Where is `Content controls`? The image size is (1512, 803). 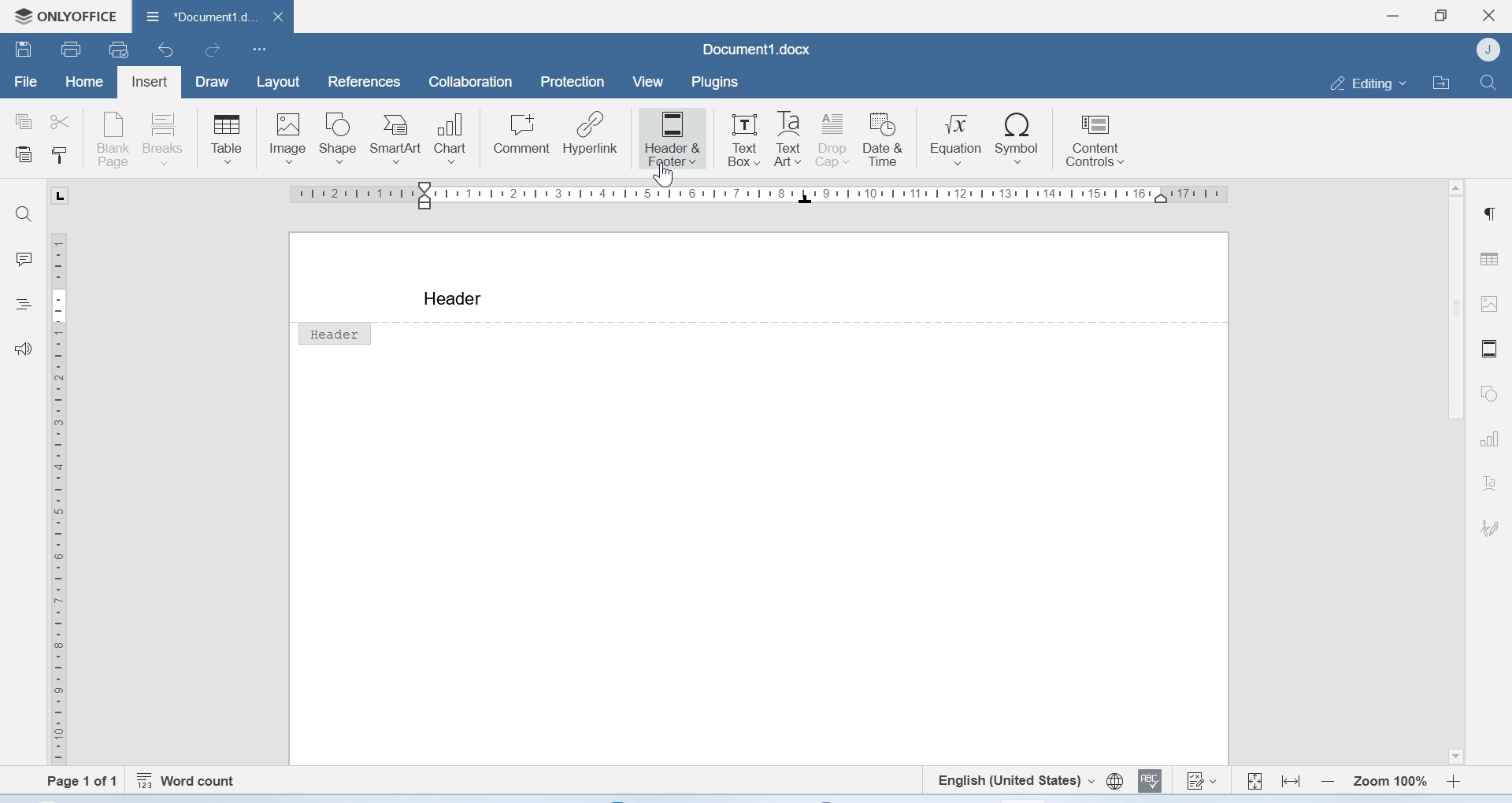
Content controls is located at coordinates (1094, 142).